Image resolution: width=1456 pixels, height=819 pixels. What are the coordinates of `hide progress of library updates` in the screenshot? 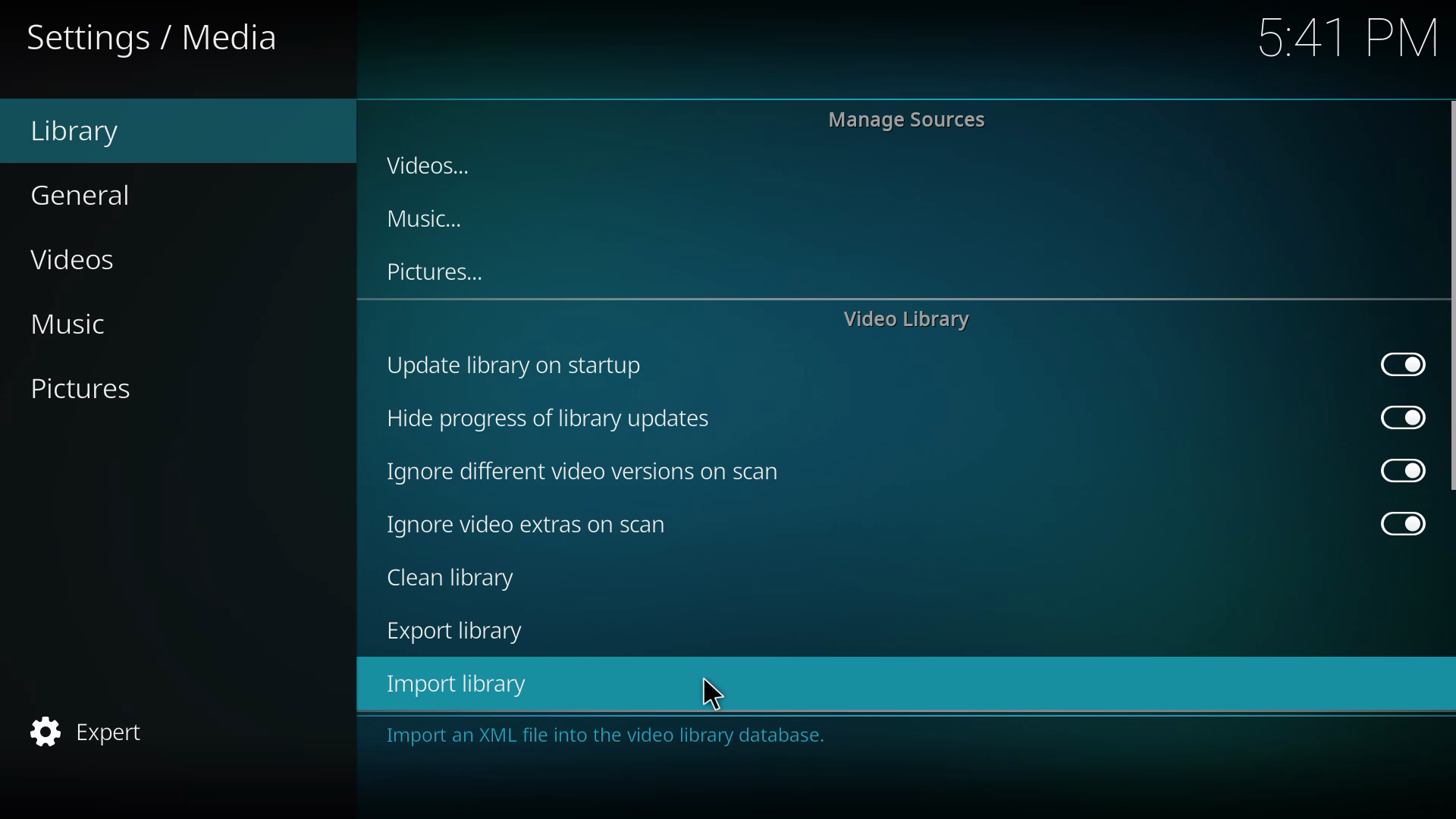 It's located at (905, 418).